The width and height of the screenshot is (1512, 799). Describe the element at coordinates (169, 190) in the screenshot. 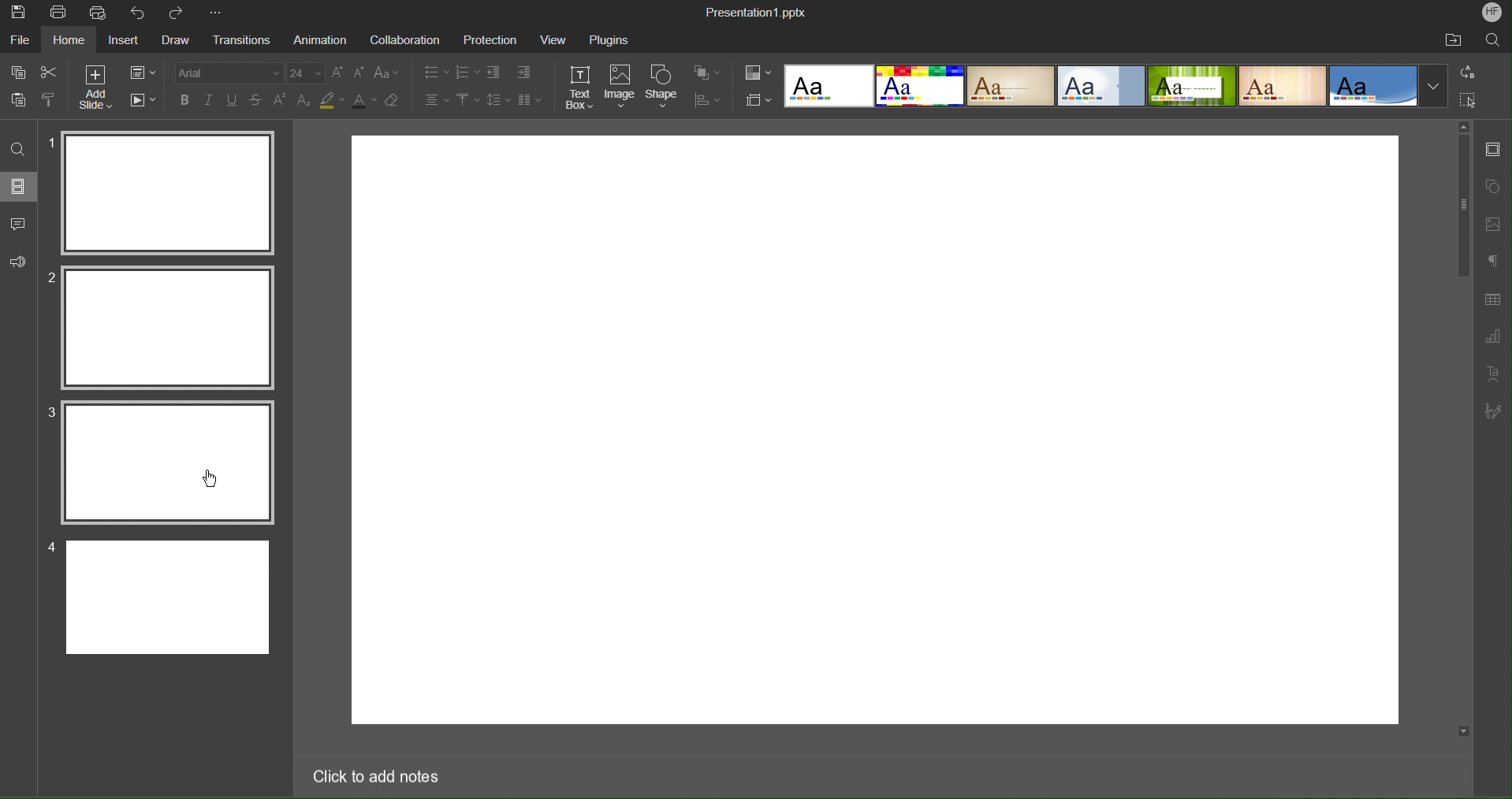

I see `Slide 1` at that location.